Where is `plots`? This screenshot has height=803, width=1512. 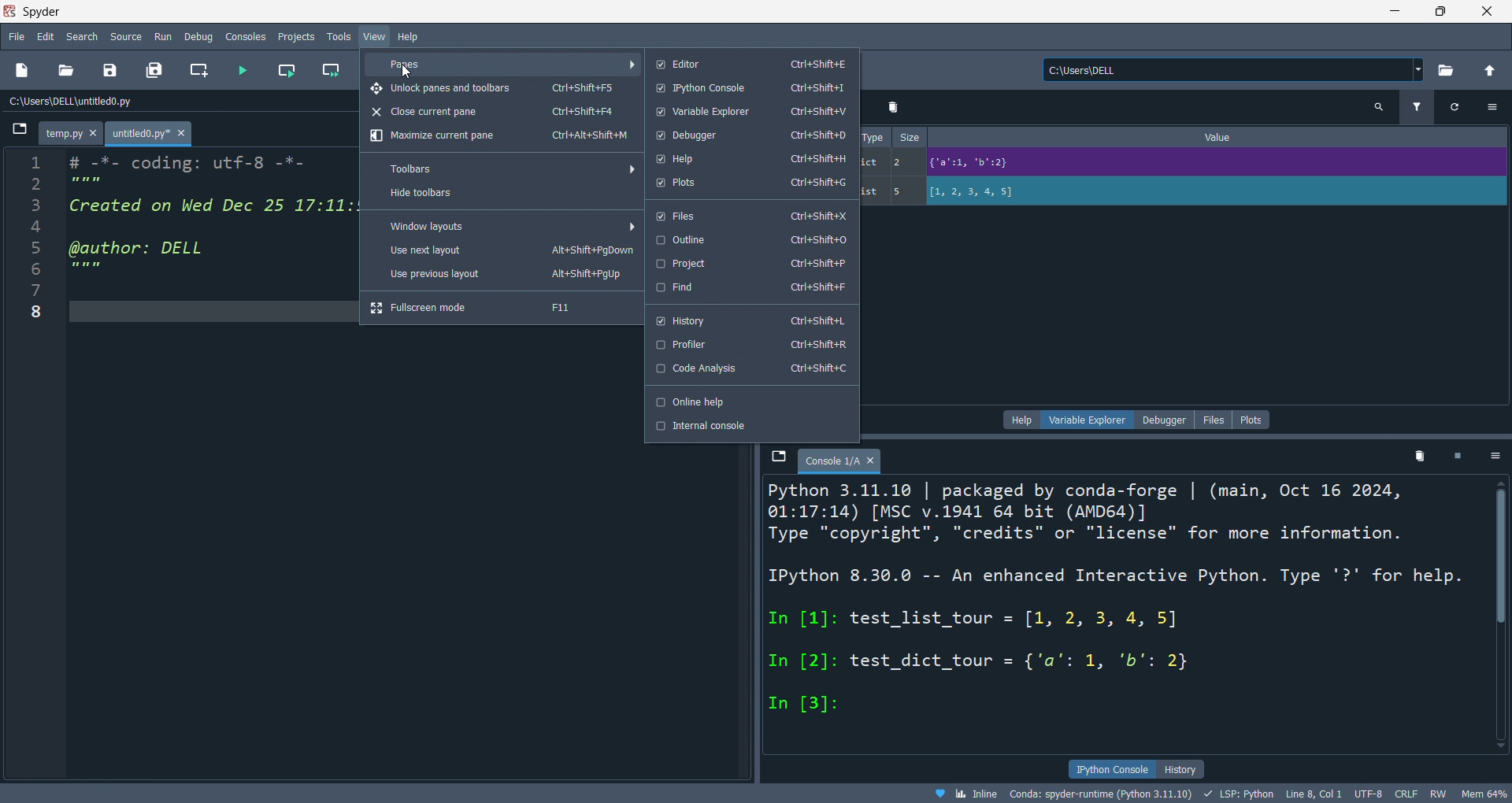 plots is located at coordinates (1252, 420).